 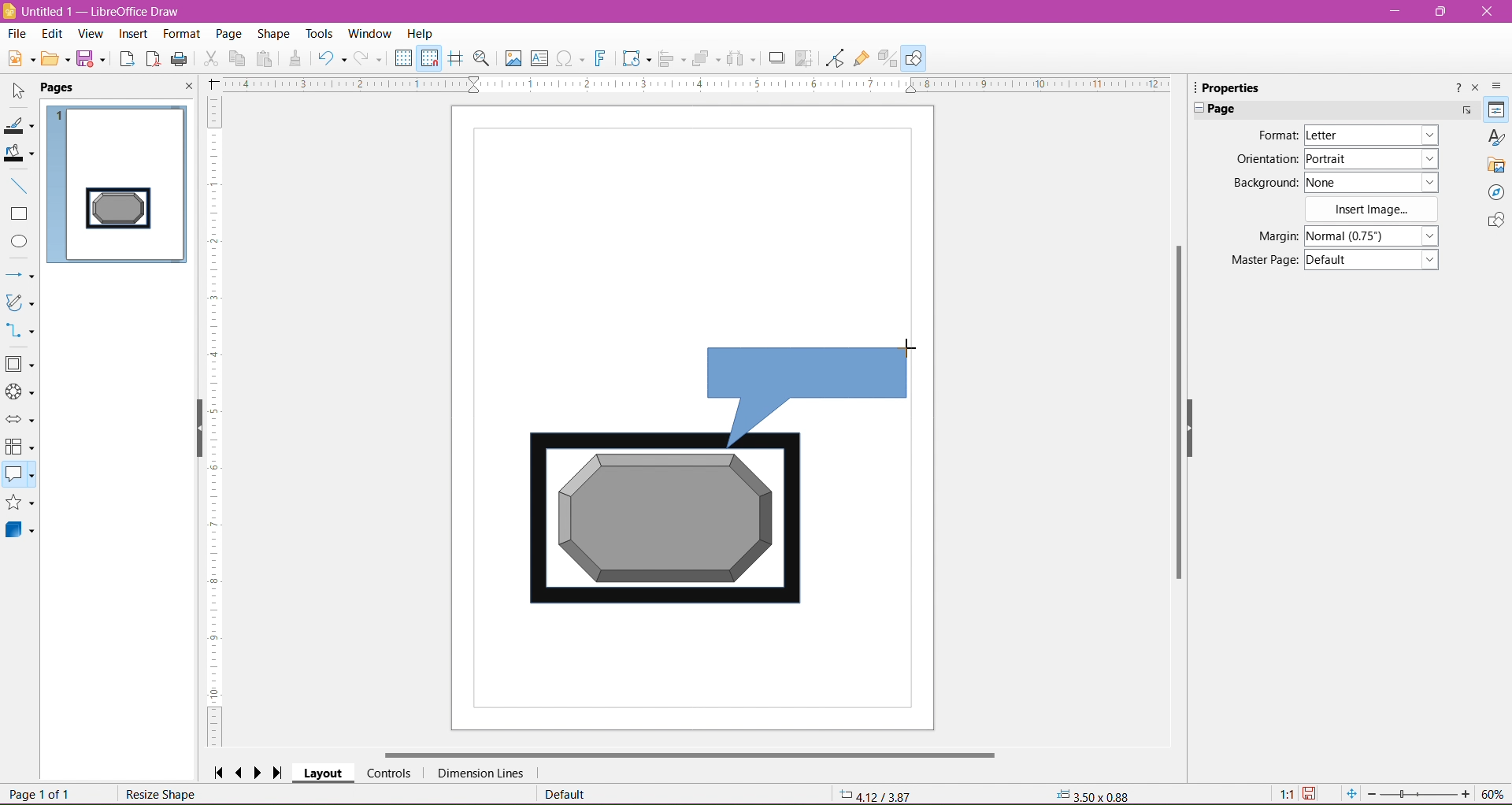 I want to click on Snap to Grid, so click(x=430, y=59).